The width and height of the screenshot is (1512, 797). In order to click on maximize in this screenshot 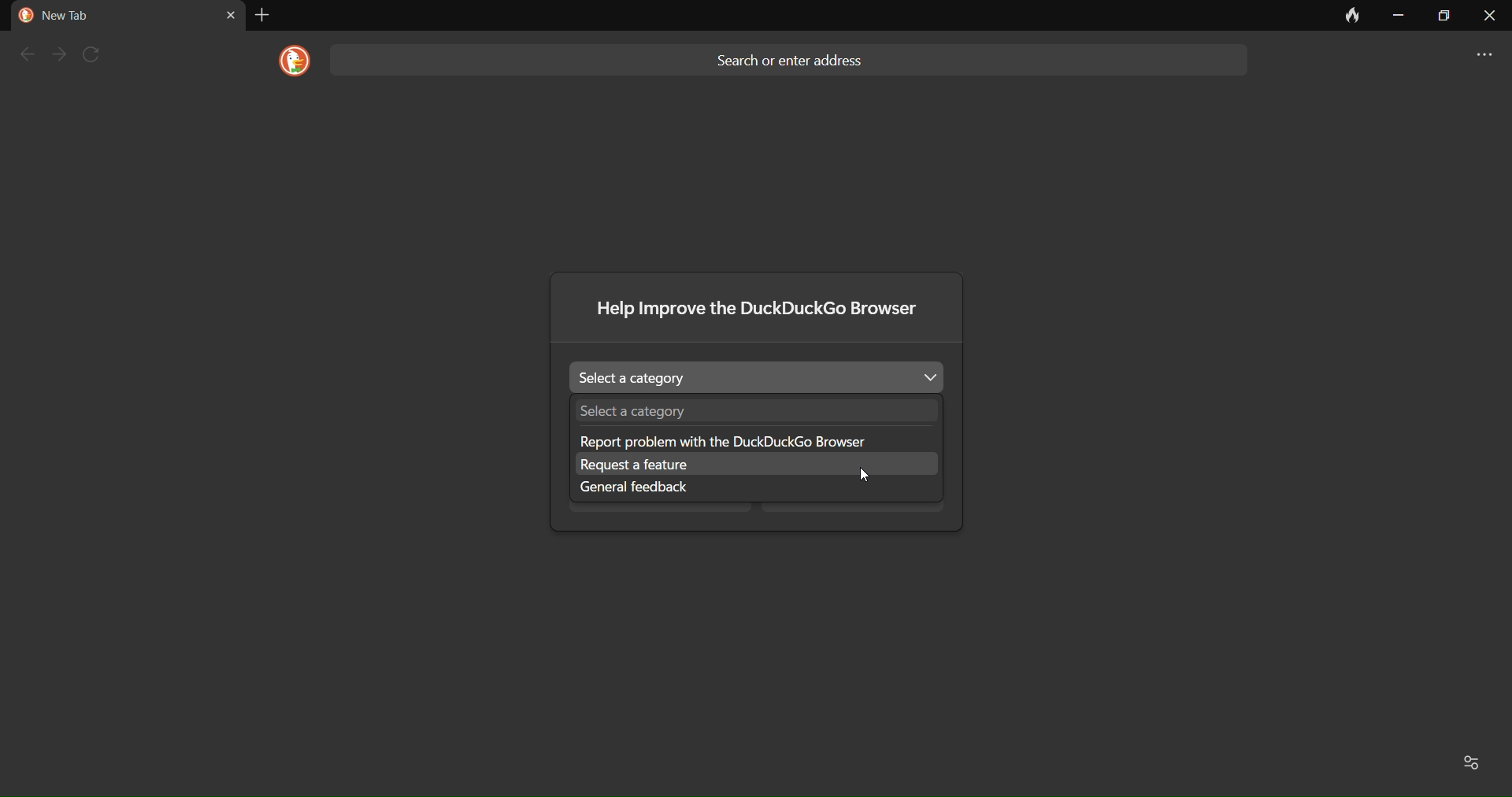, I will do `click(1441, 16)`.